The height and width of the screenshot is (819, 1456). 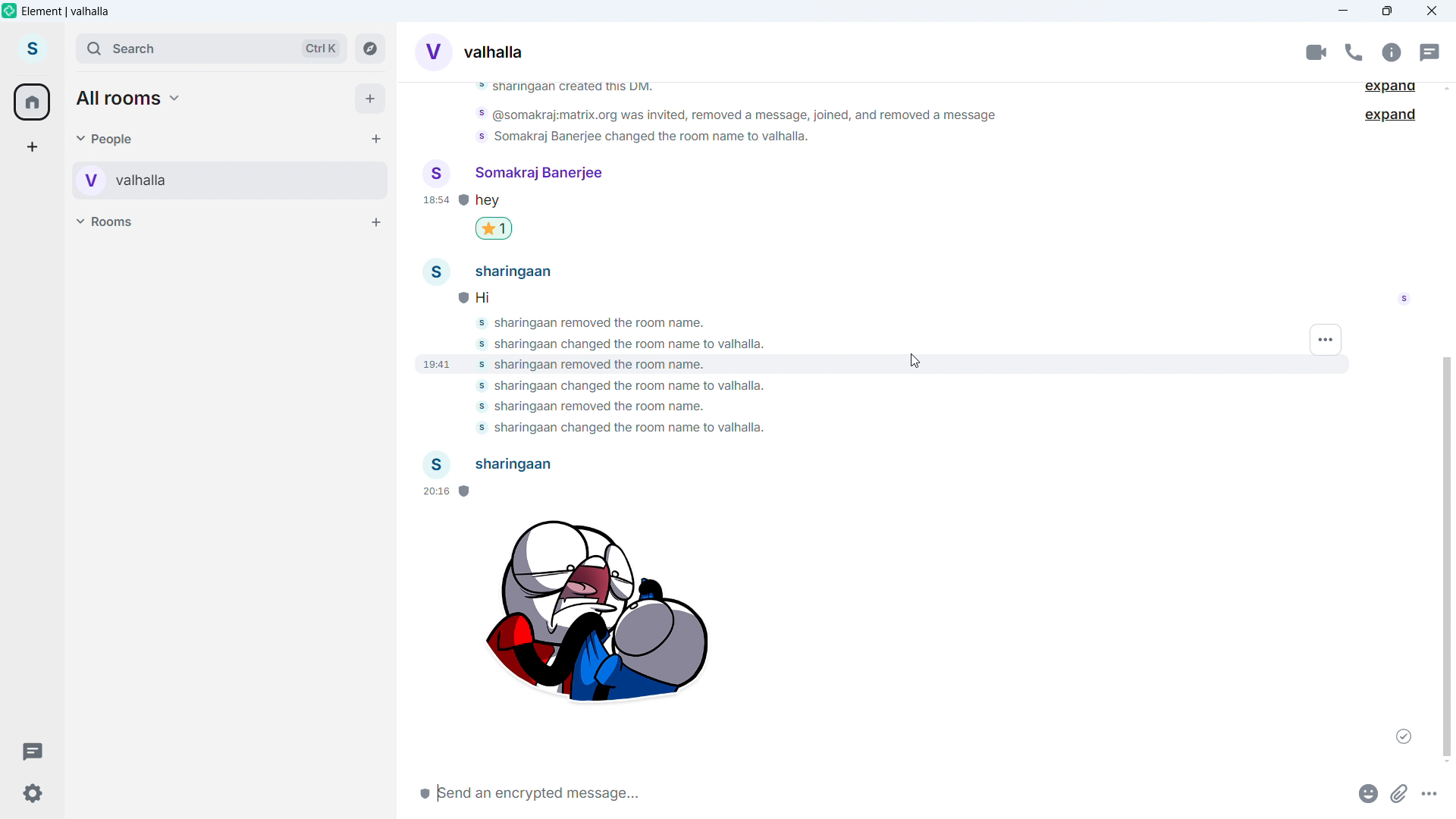 What do you see at coordinates (33, 50) in the screenshot?
I see `account` at bounding box center [33, 50].